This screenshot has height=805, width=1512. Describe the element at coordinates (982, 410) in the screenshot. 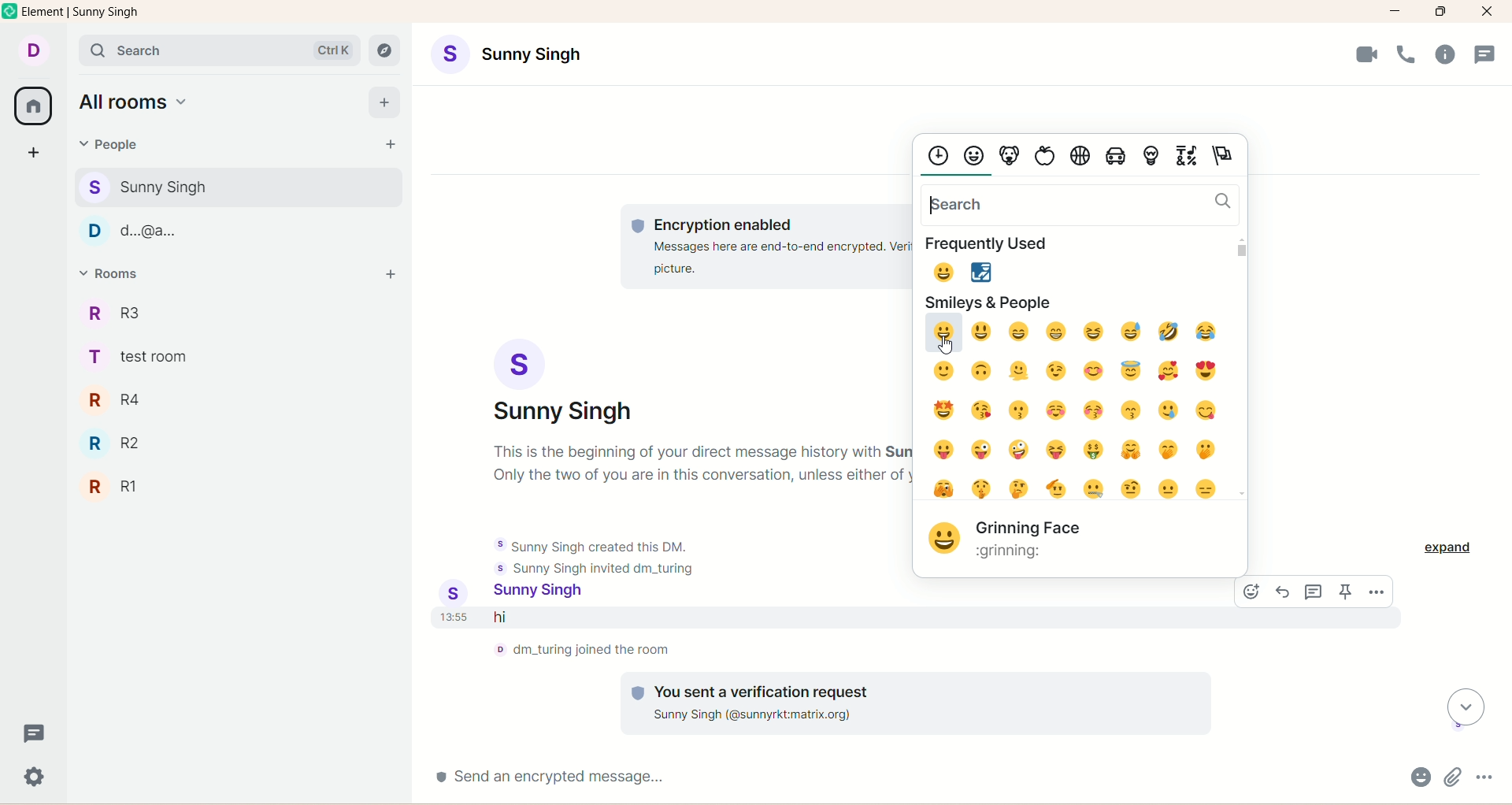

I see `Face blowing a kiss` at that location.